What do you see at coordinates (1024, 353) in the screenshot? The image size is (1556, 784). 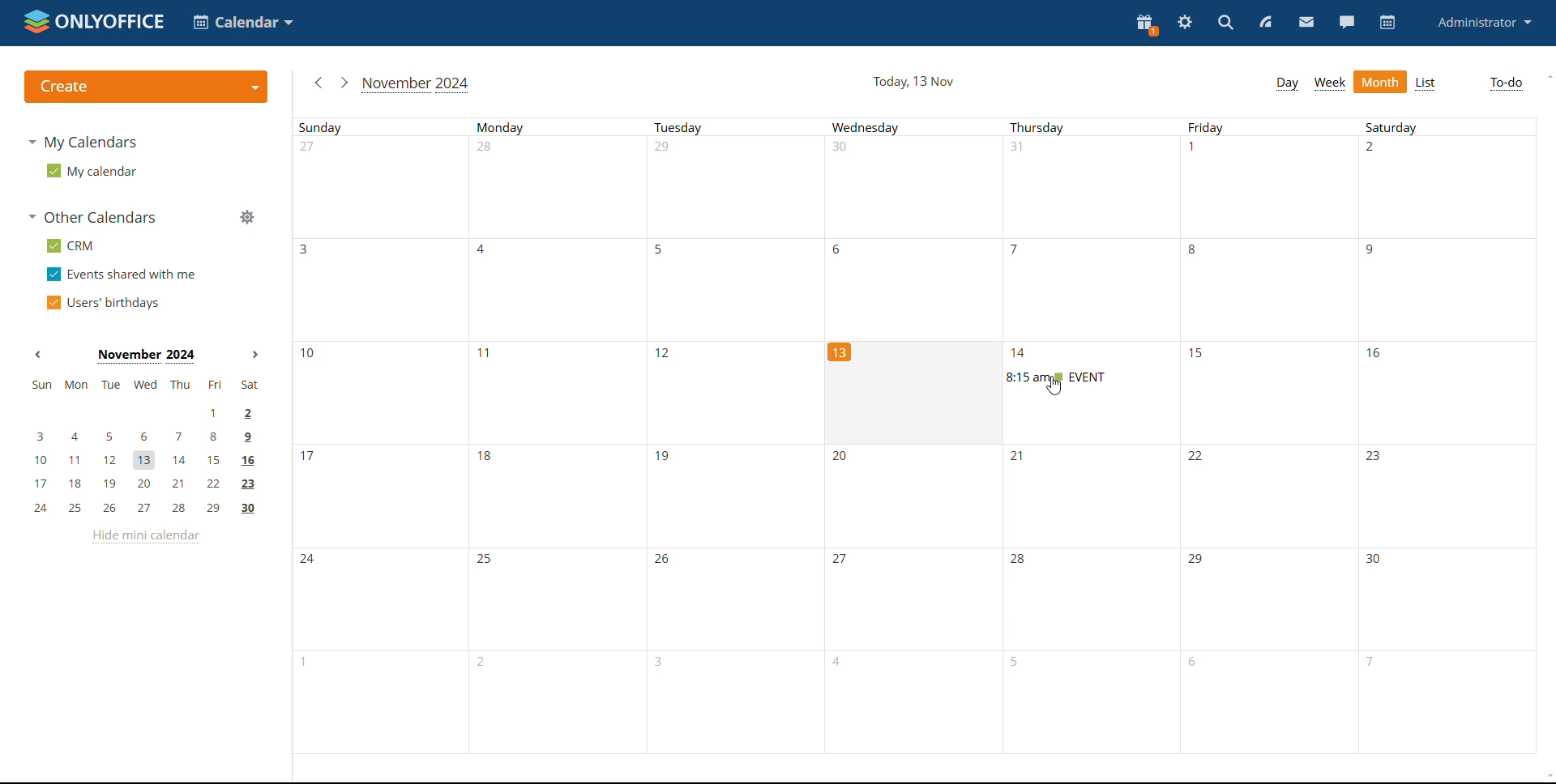 I see `14 november` at bounding box center [1024, 353].